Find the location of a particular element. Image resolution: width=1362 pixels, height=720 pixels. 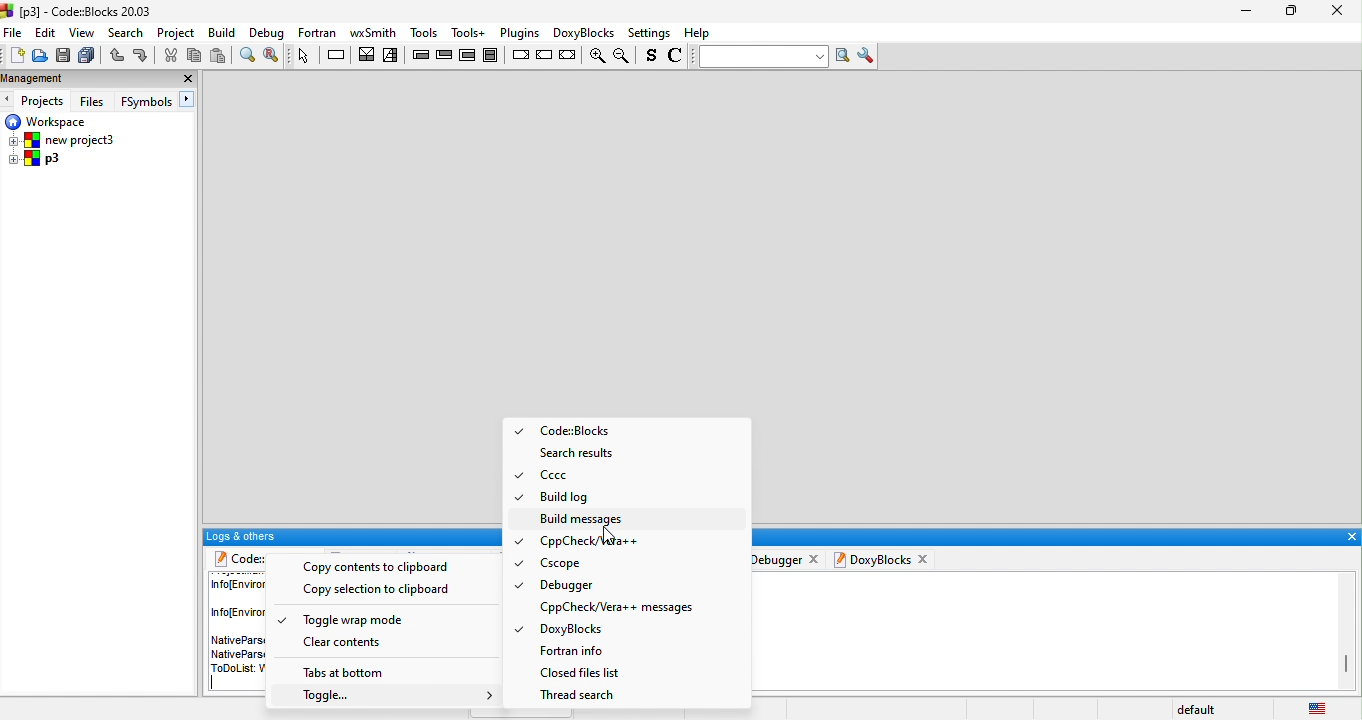

code blocks is located at coordinates (234, 558).